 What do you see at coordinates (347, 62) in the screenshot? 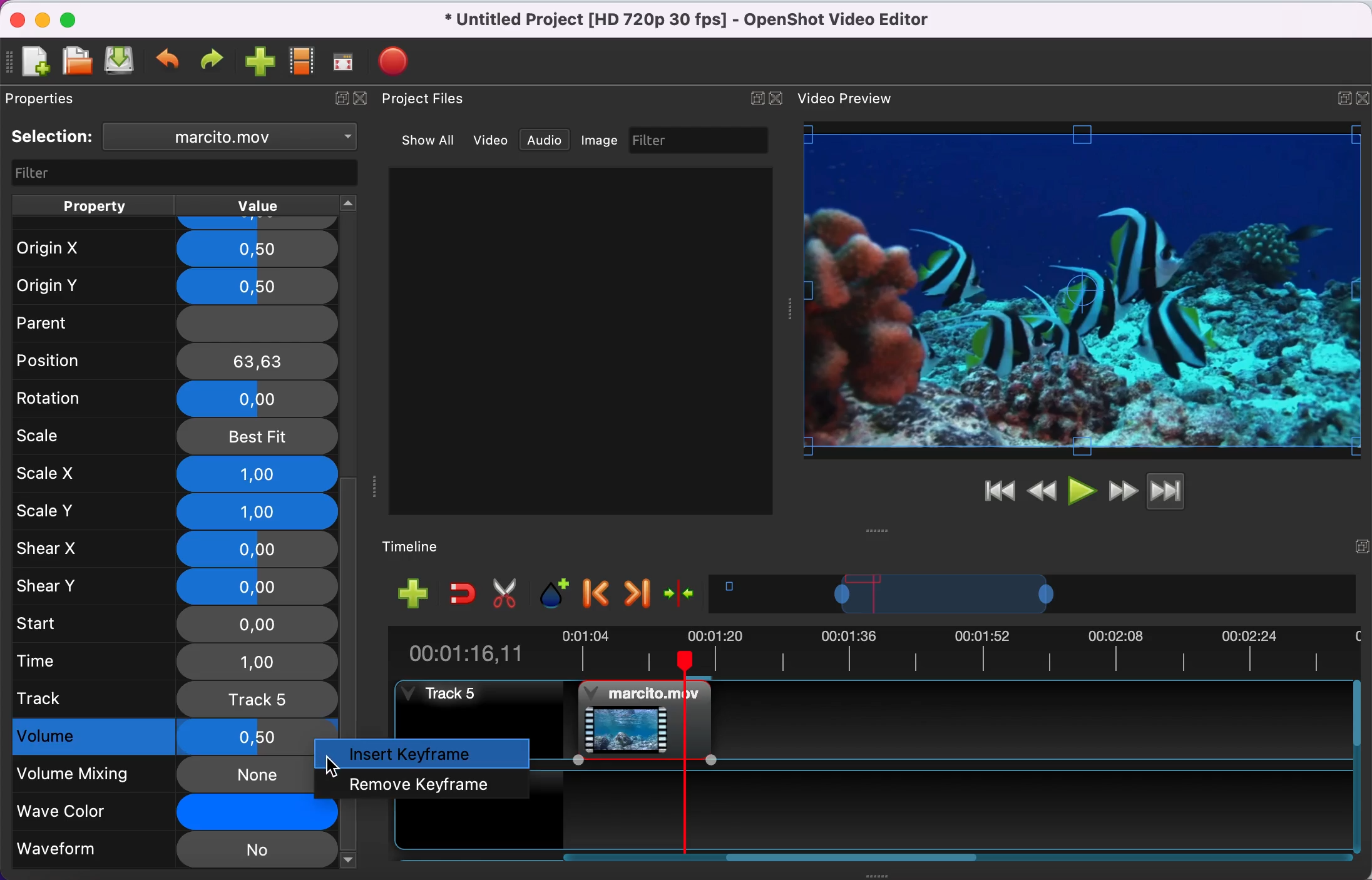
I see `full screen` at bounding box center [347, 62].